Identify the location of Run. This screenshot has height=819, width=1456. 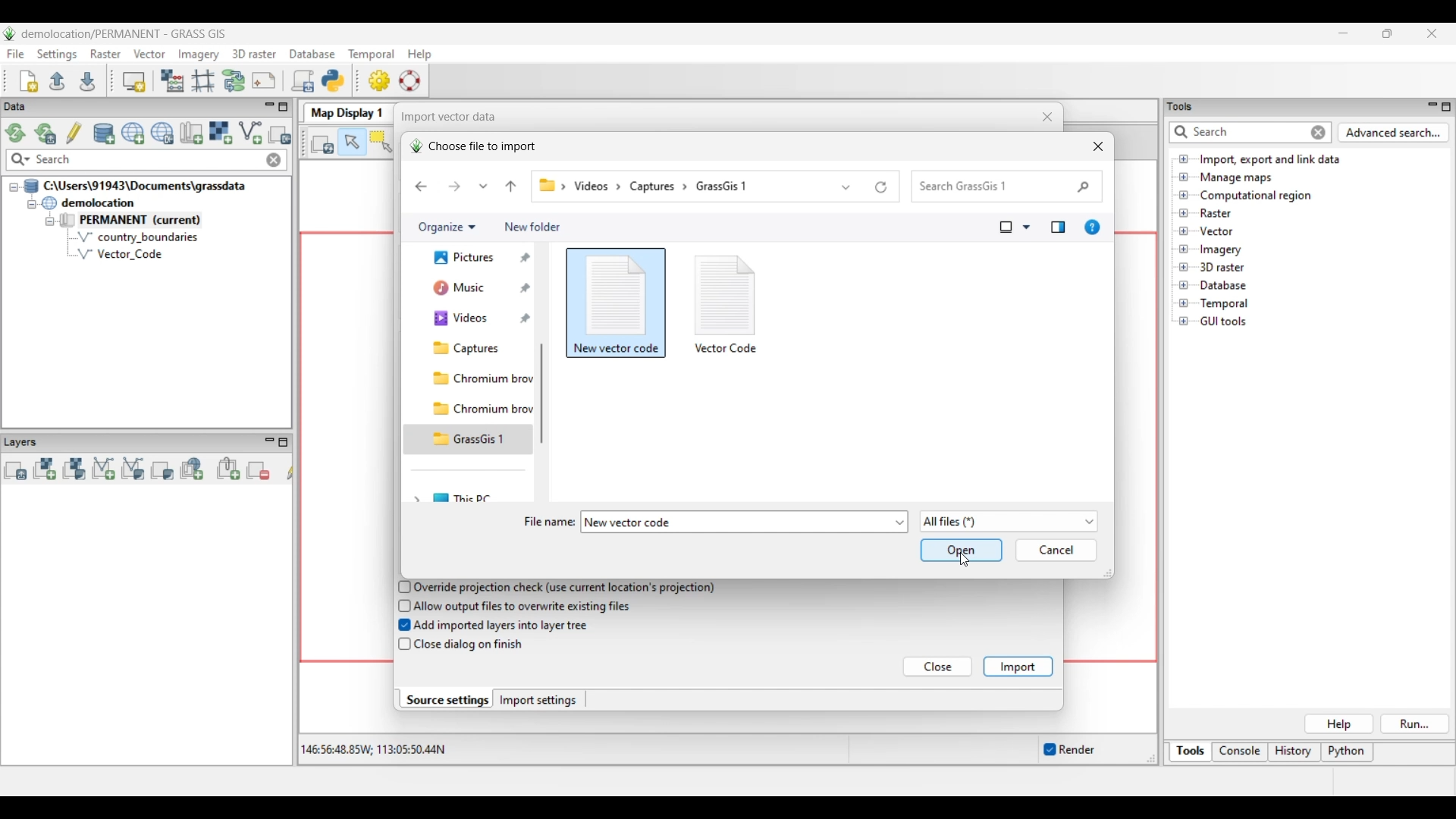
(1416, 724).